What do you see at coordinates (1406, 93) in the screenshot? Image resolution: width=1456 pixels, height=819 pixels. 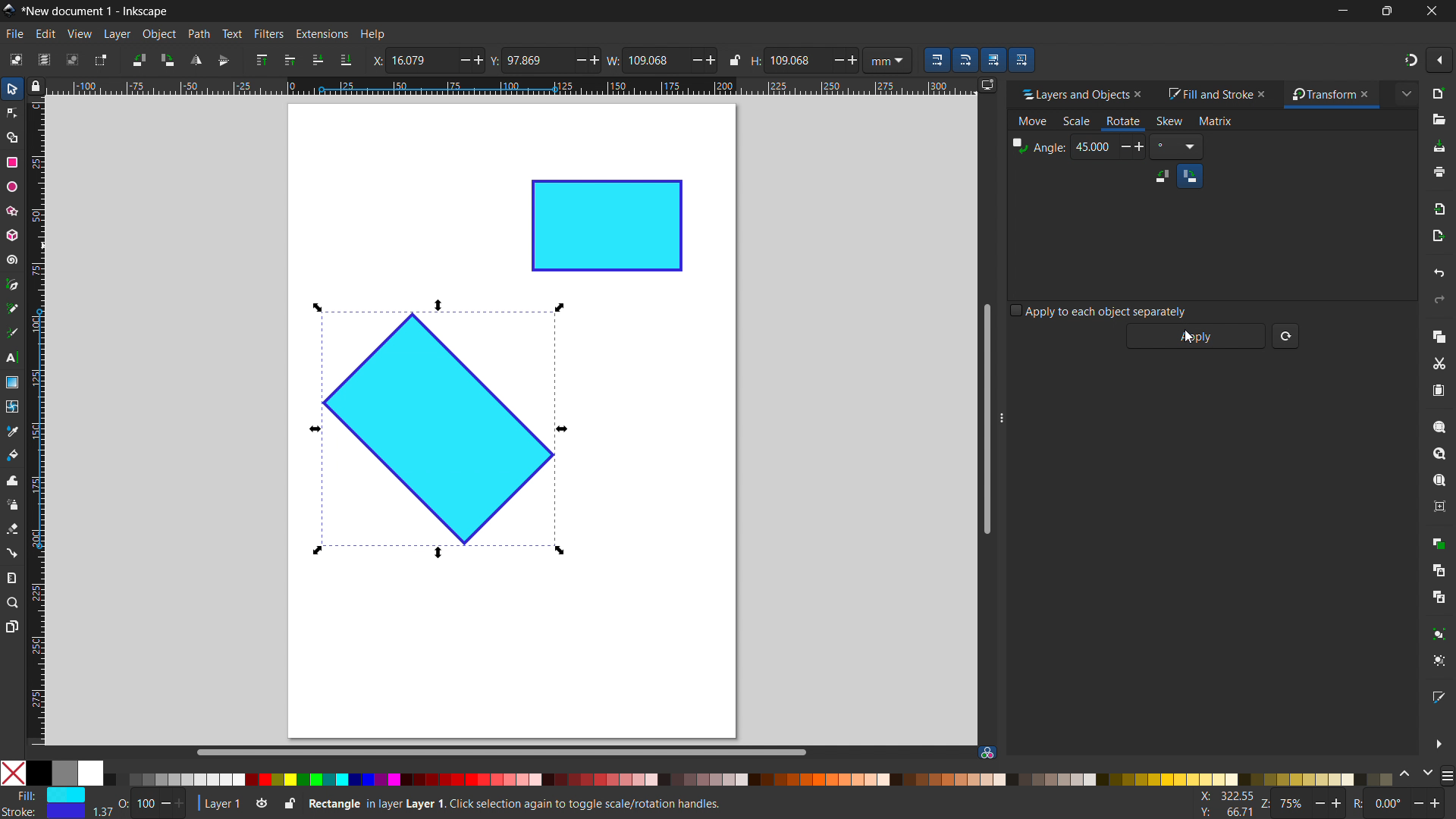 I see `extended menu` at bounding box center [1406, 93].